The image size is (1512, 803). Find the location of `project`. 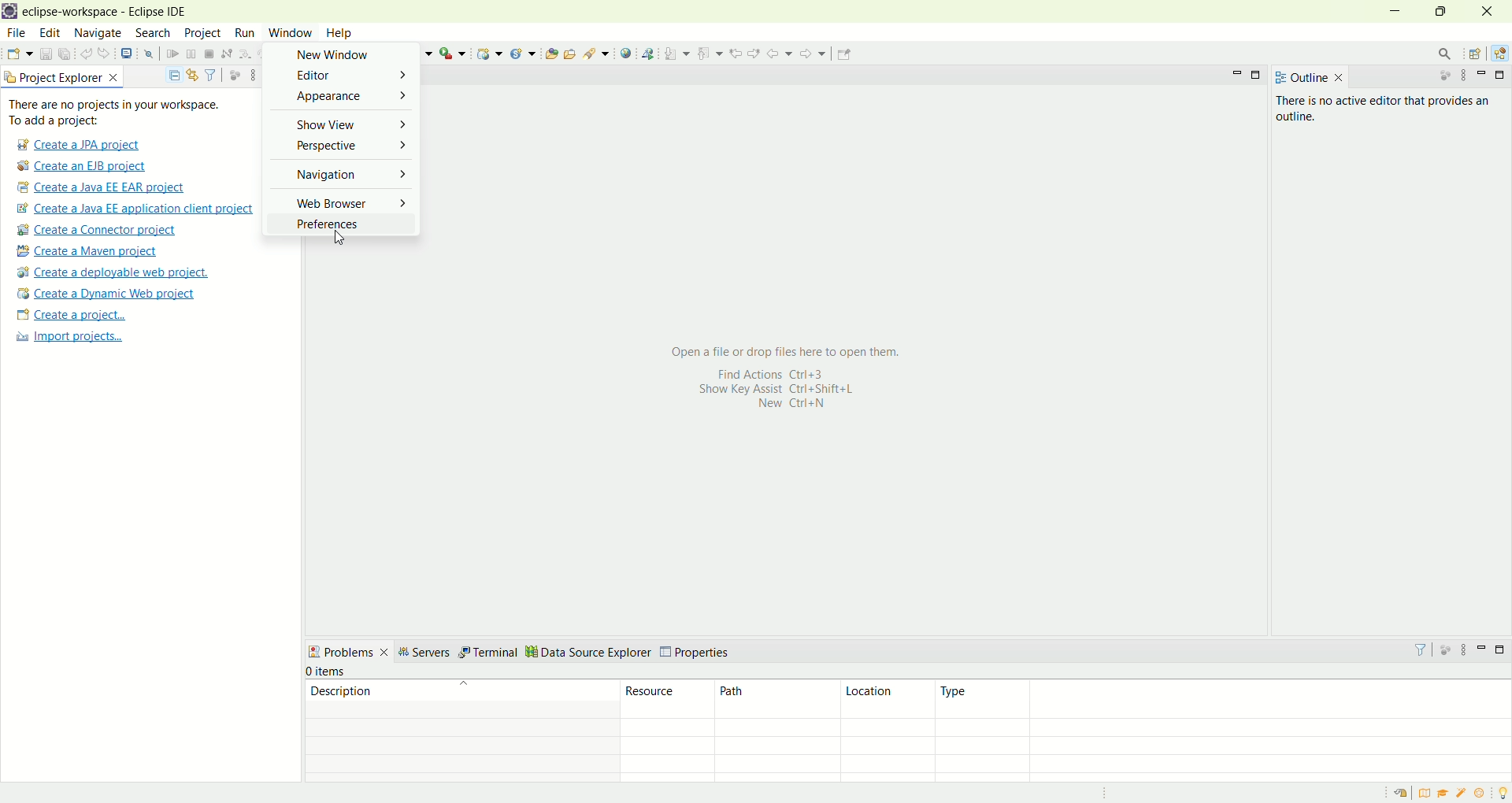

project is located at coordinates (202, 33).